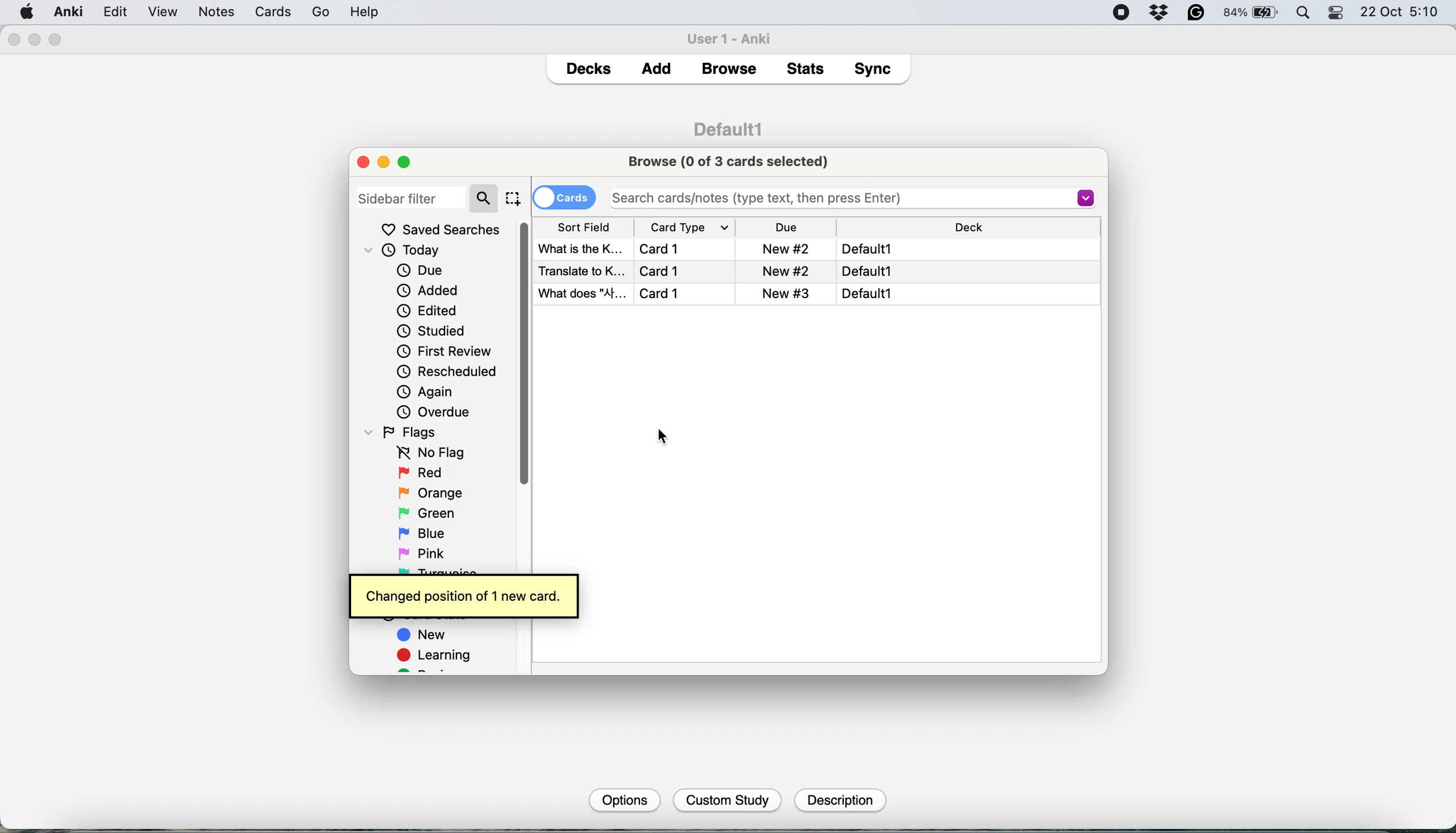  I want to click on added, so click(429, 289).